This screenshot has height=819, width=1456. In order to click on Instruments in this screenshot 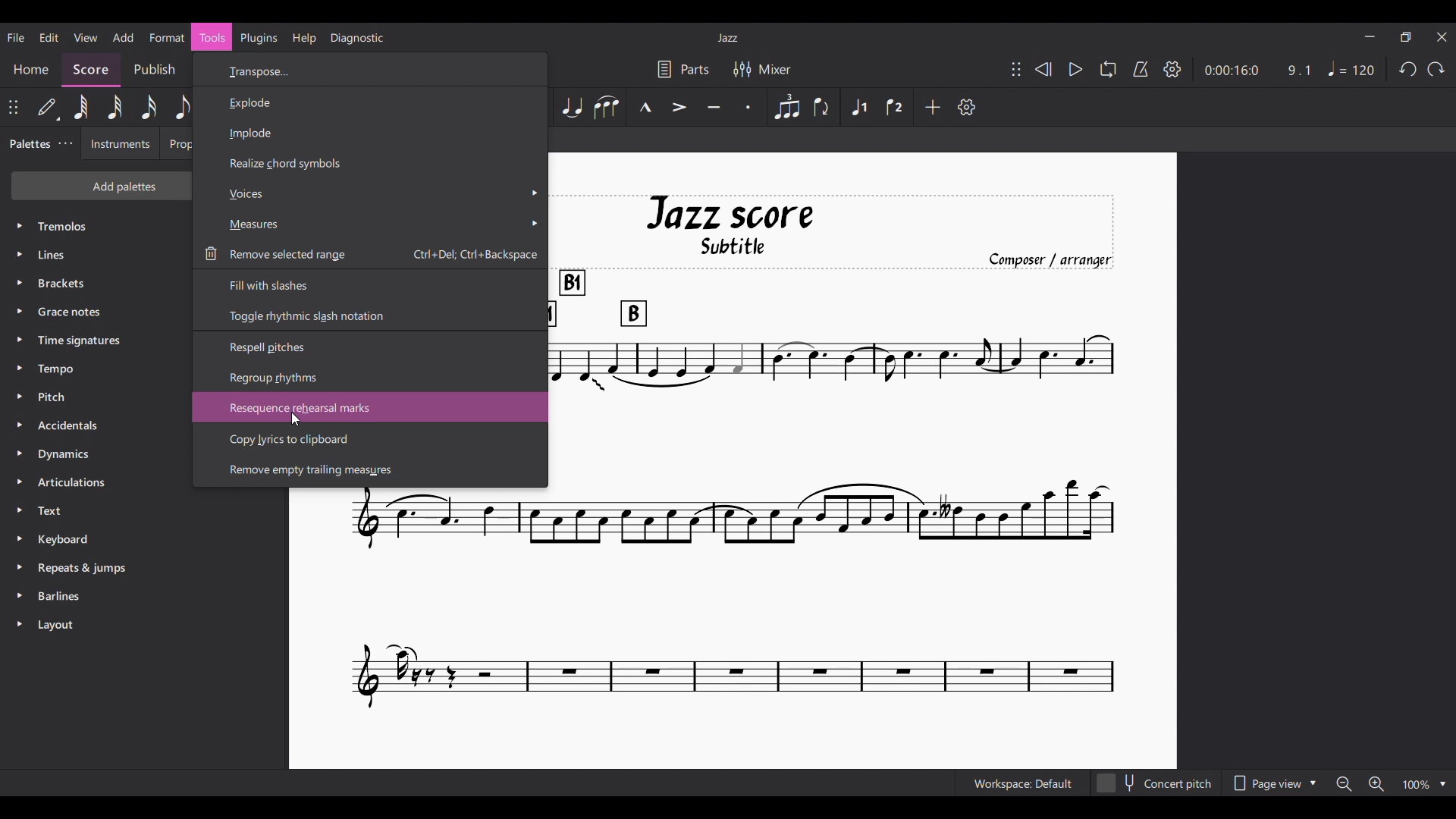, I will do `click(120, 143)`.